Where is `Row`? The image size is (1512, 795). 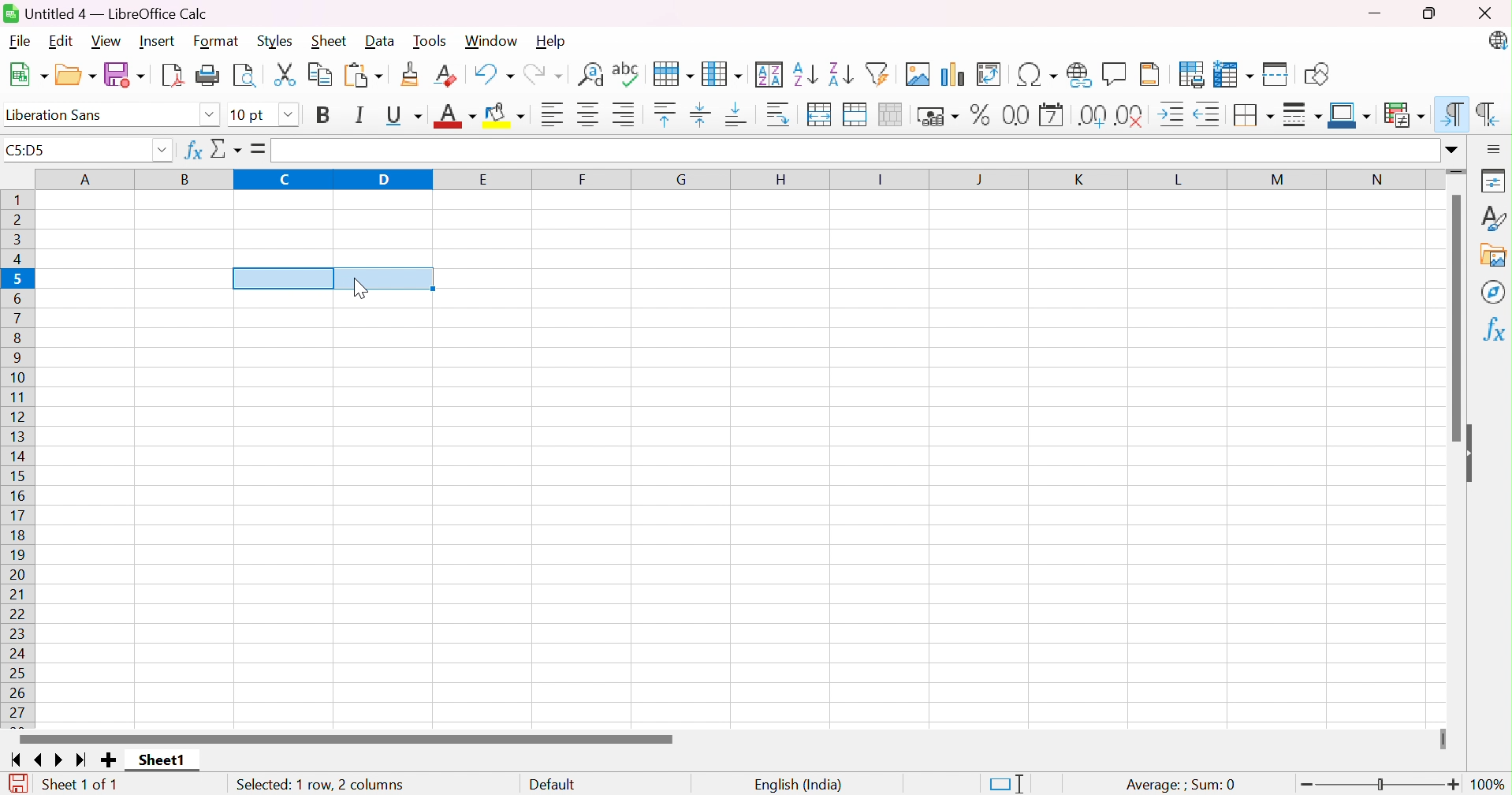 Row is located at coordinates (672, 74).